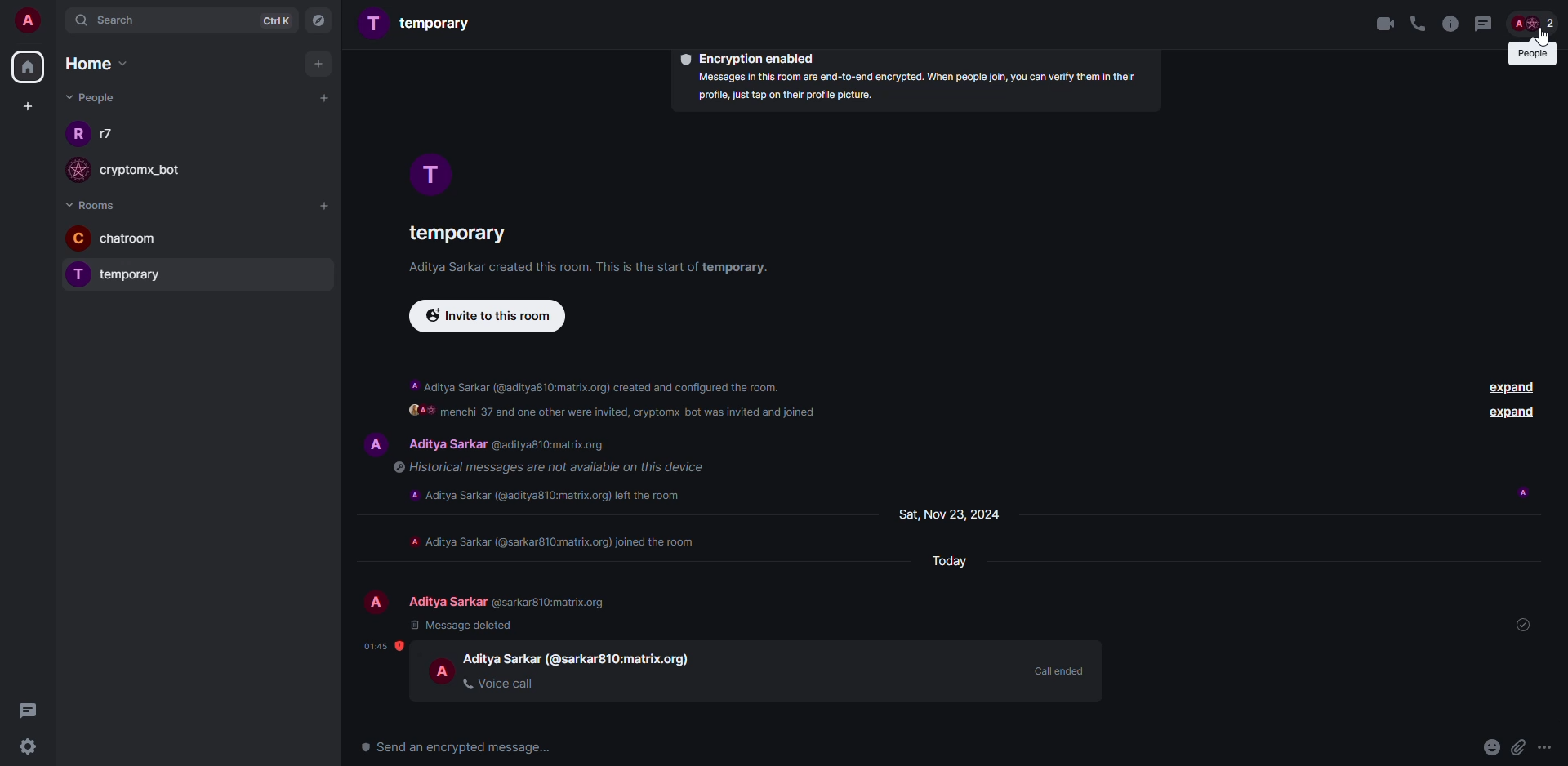 The width and height of the screenshot is (1568, 766). I want to click on click, so click(1535, 24).